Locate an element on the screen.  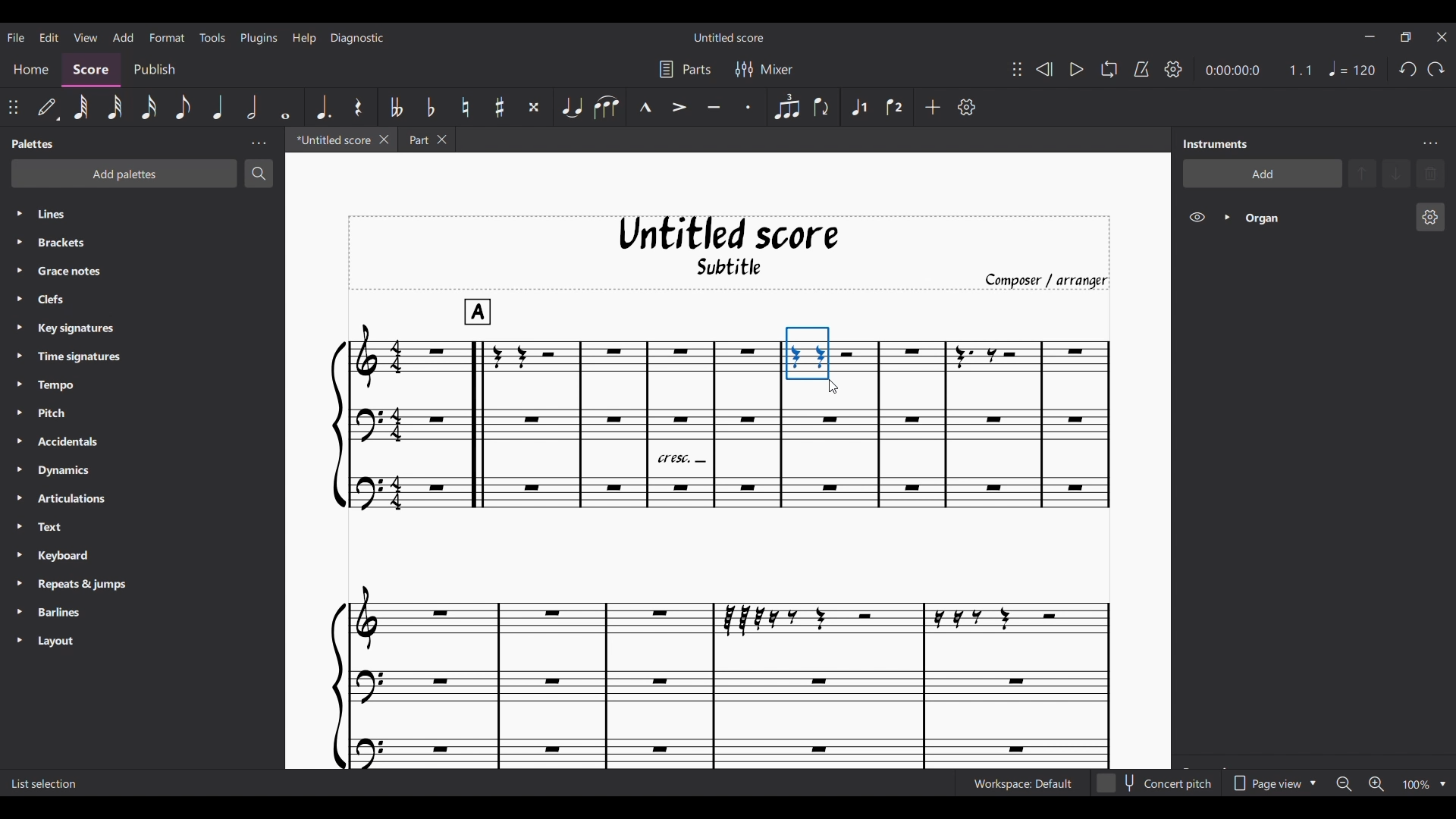
Palette panel settings is located at coordinates (259, 144).